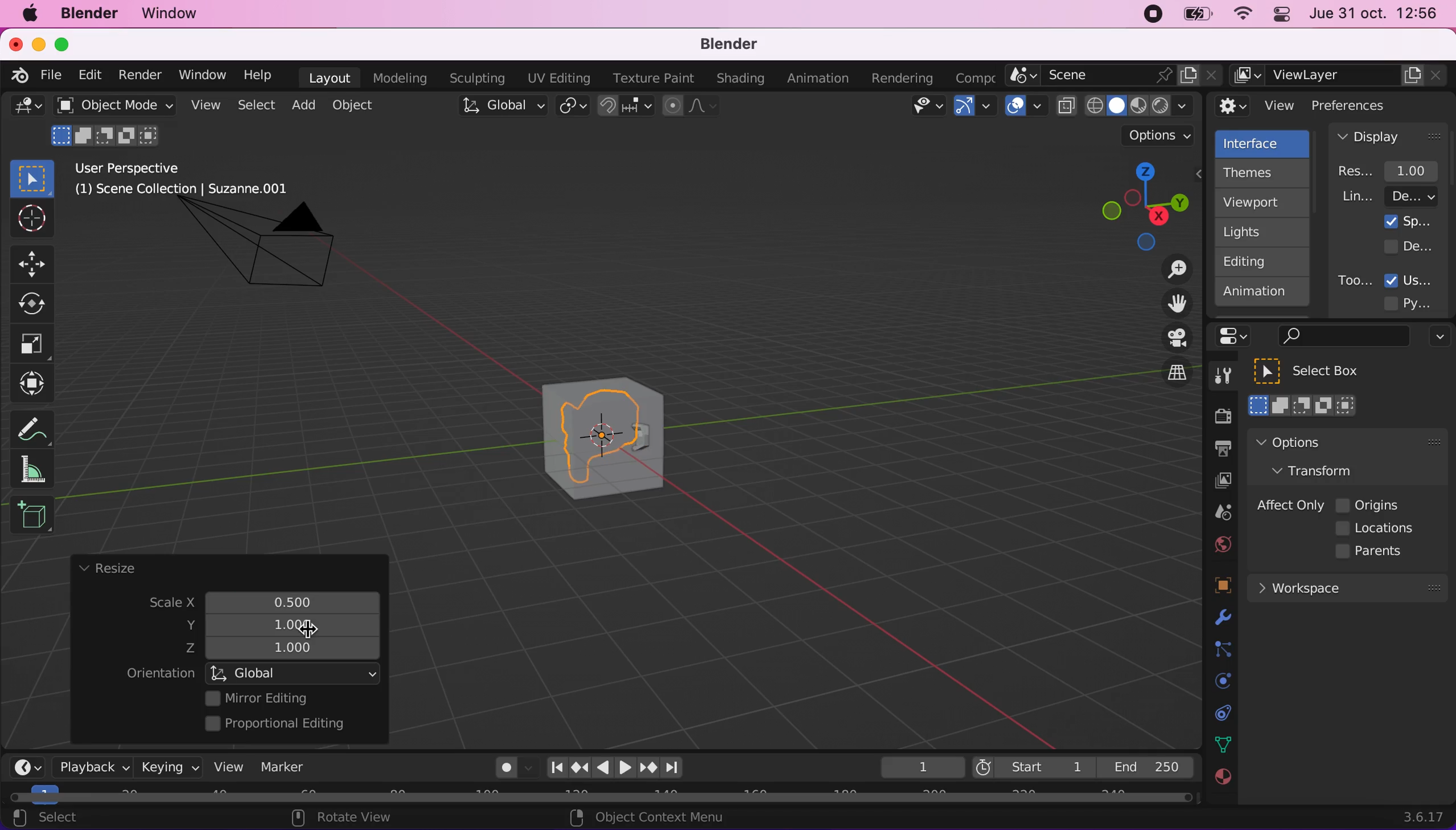  I want to click on switch the current view, so click(1165, 383).